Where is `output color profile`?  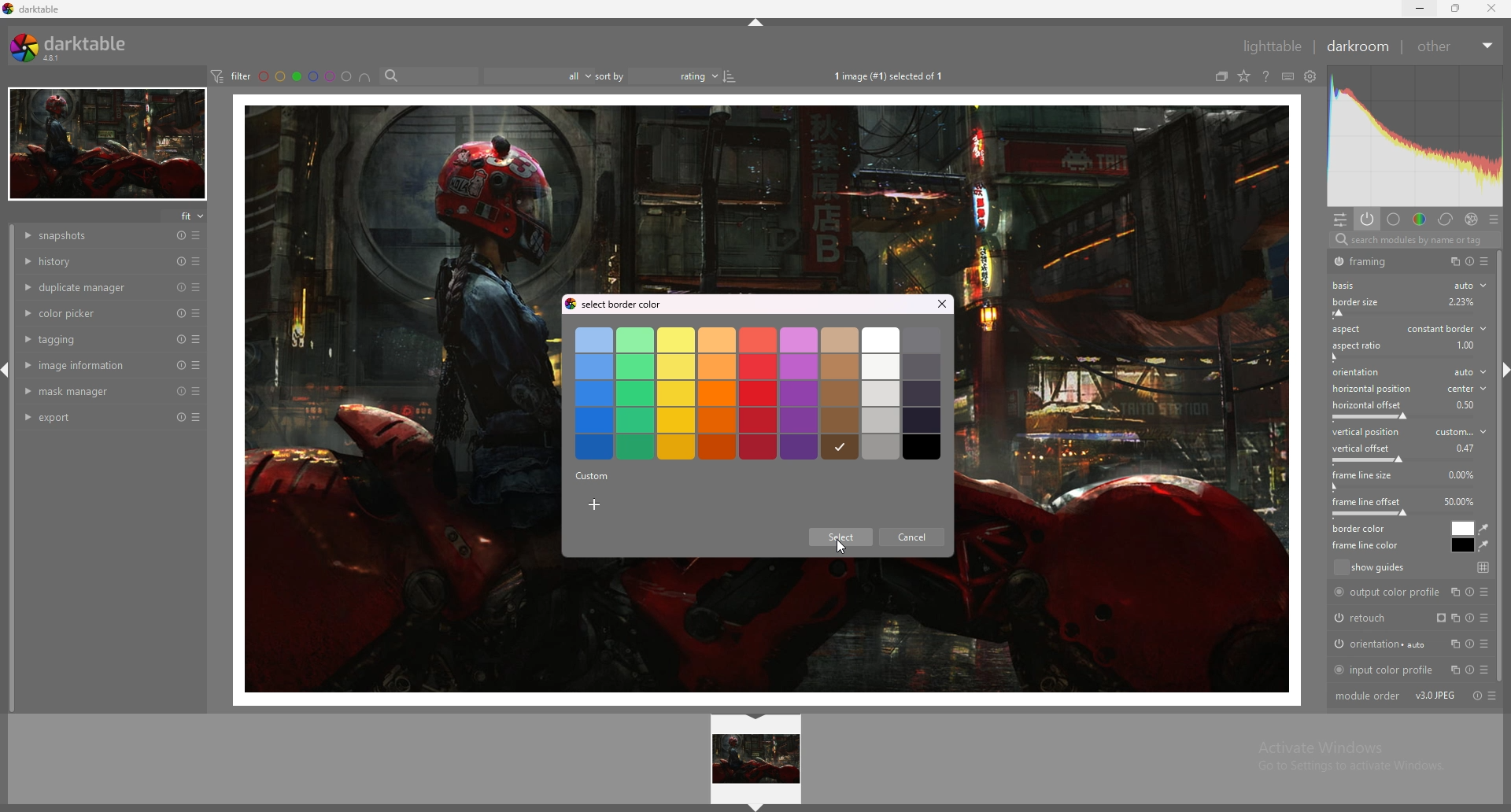 output color profile is located at coordinates (1410, 593).